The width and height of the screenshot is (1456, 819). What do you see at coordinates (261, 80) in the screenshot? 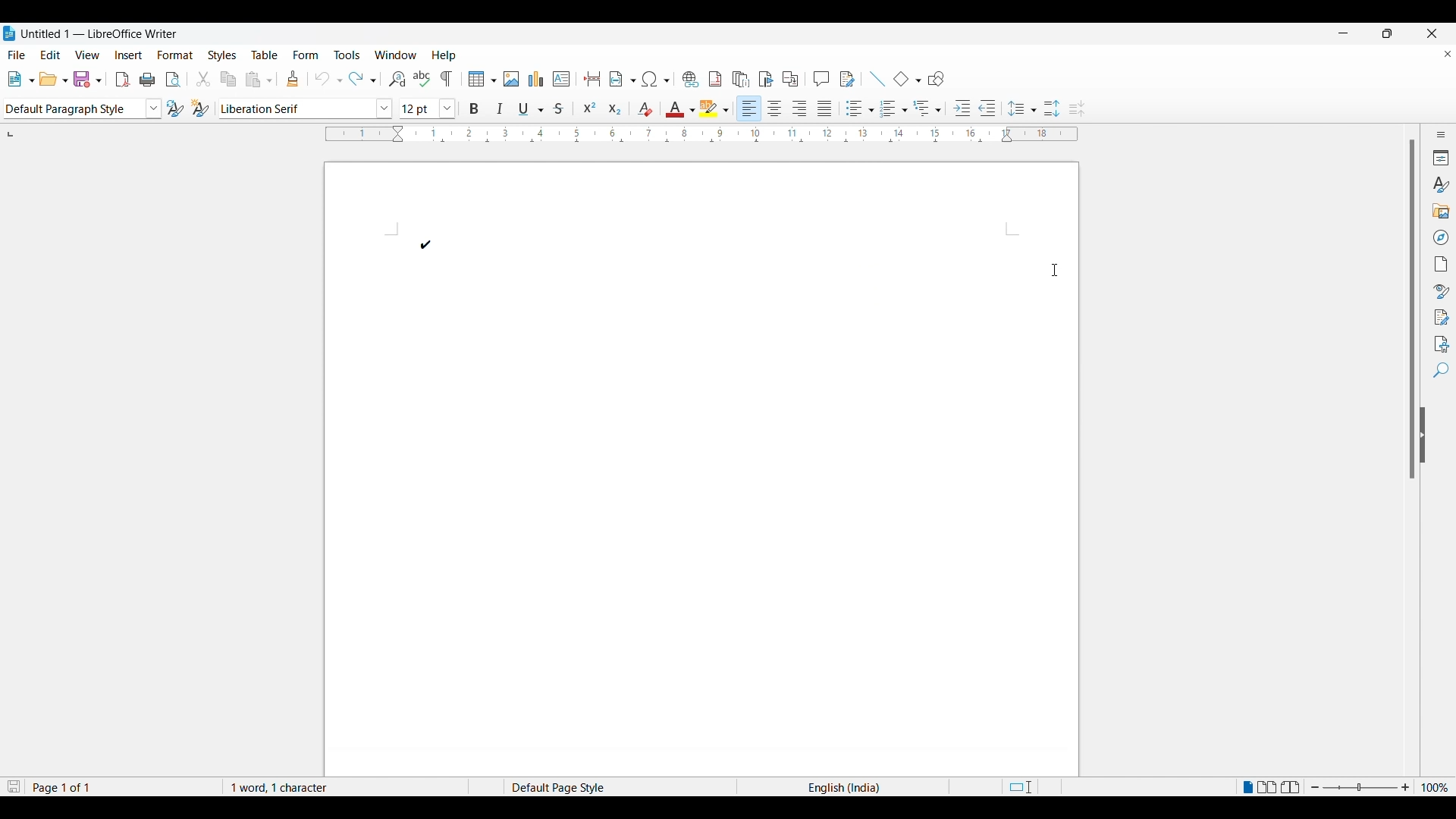
I see `paste` at bounding box center [261, 80].